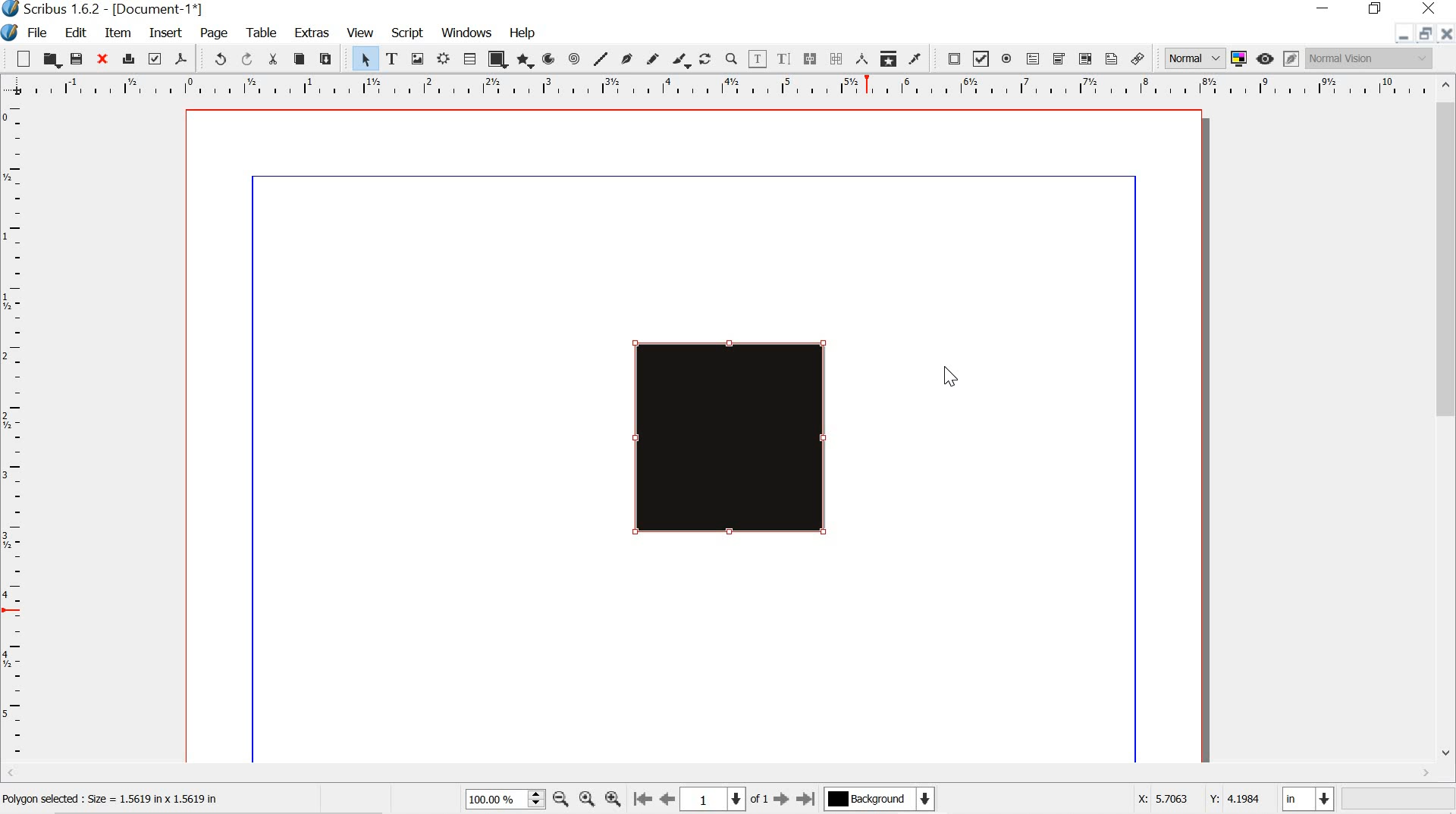 This screenshot has width=1456, height=814. I want to click on view, so click(362, 31).